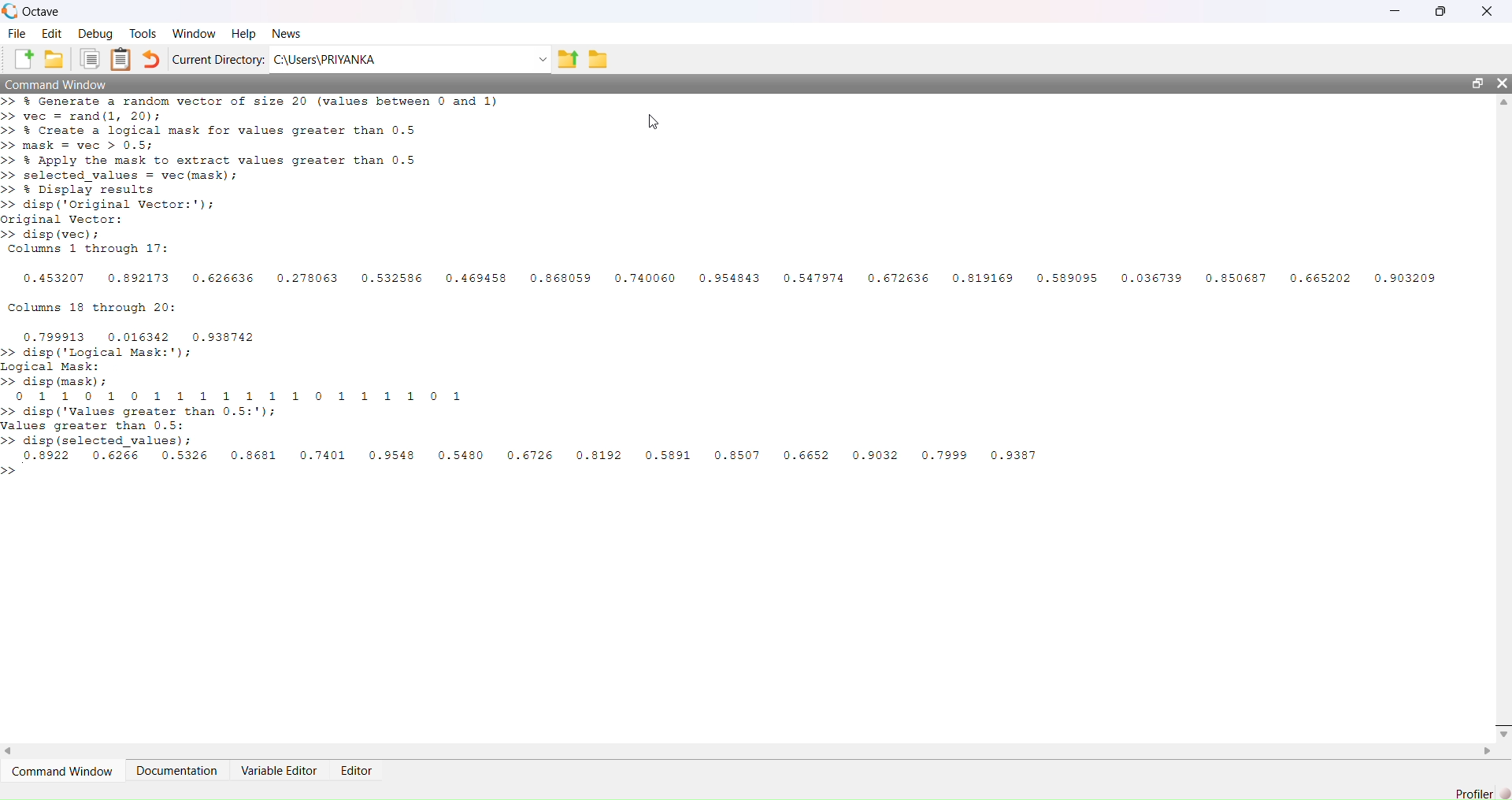 The height and width of the screenshot is (800, 1512). Describe the element at coordinates (597, 61) in the screenshot. I see `Folder` at that location.